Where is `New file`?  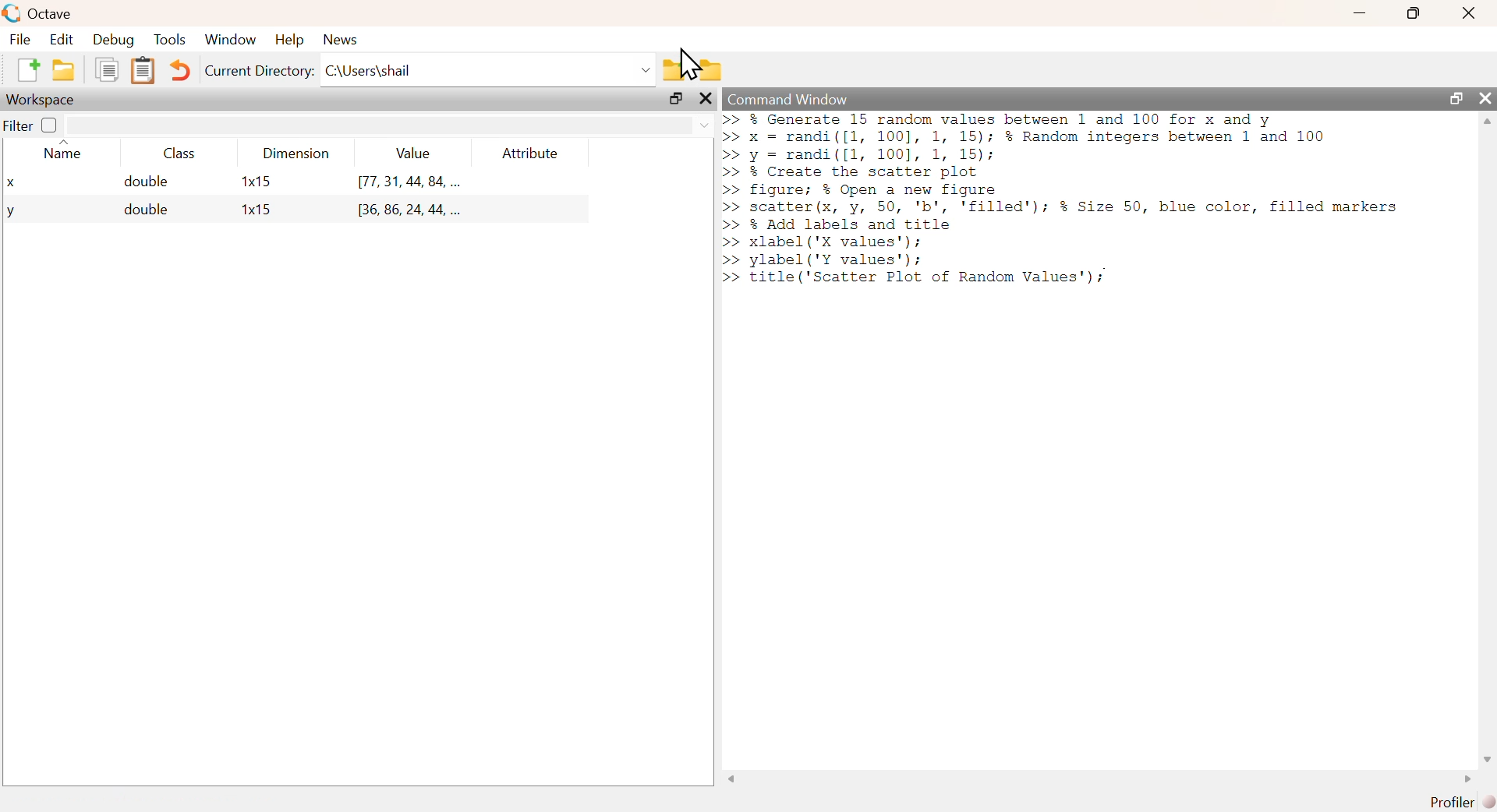 New file is located at coordinates (27, 69).